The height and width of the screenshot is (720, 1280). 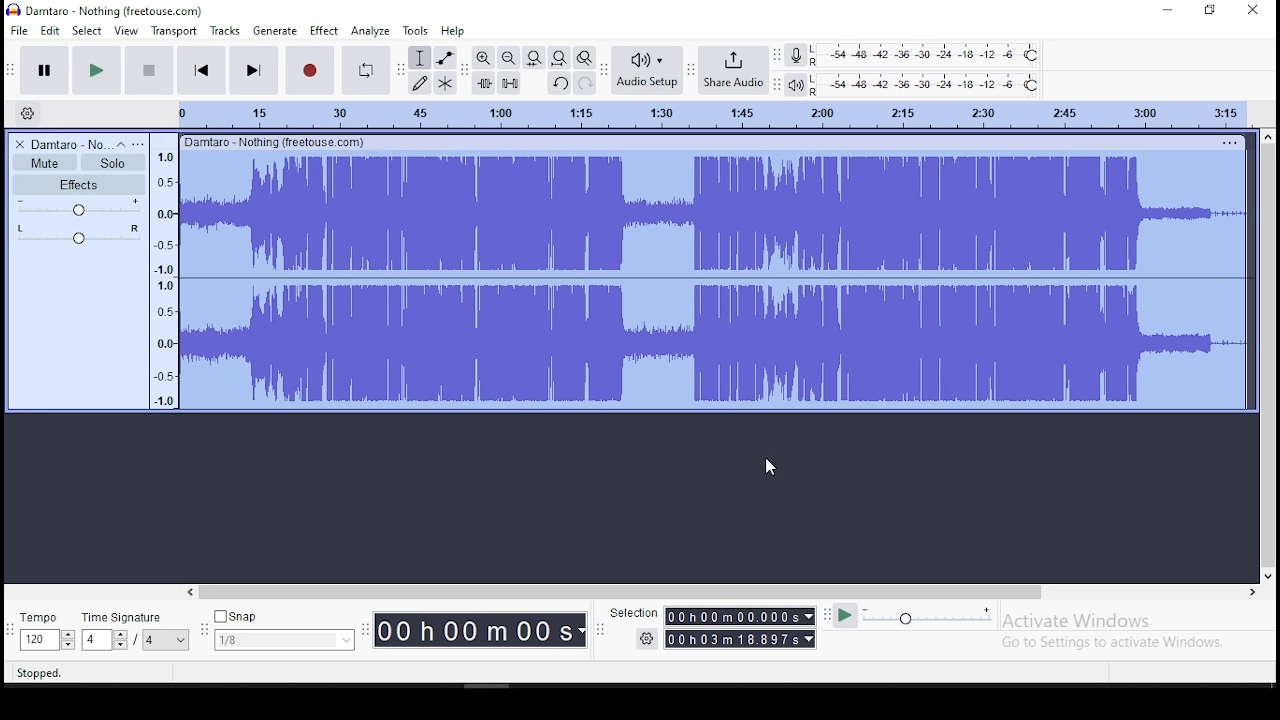 I want to click on help, so click(x=452, y=30).